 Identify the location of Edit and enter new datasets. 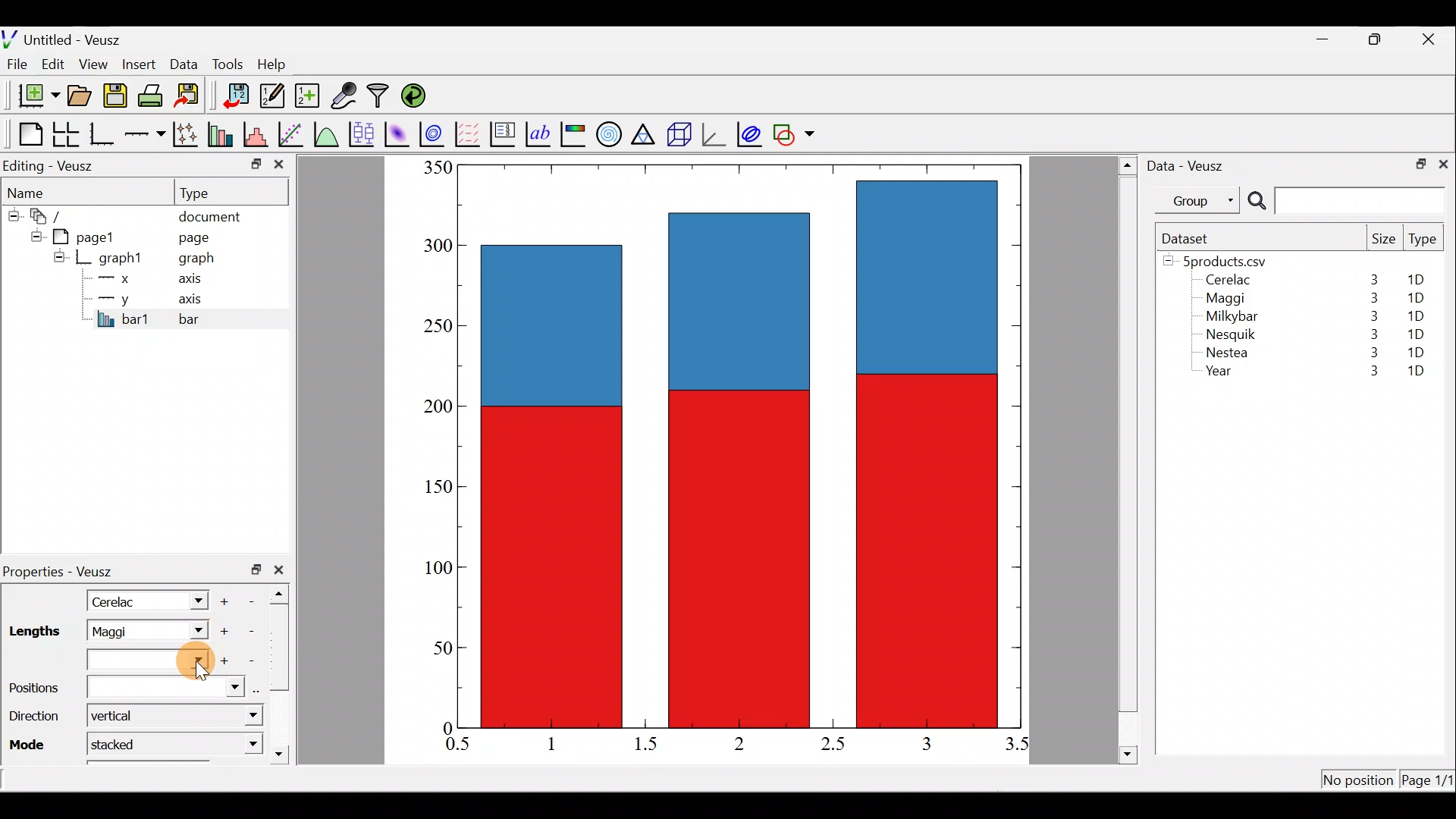
(272, 96).